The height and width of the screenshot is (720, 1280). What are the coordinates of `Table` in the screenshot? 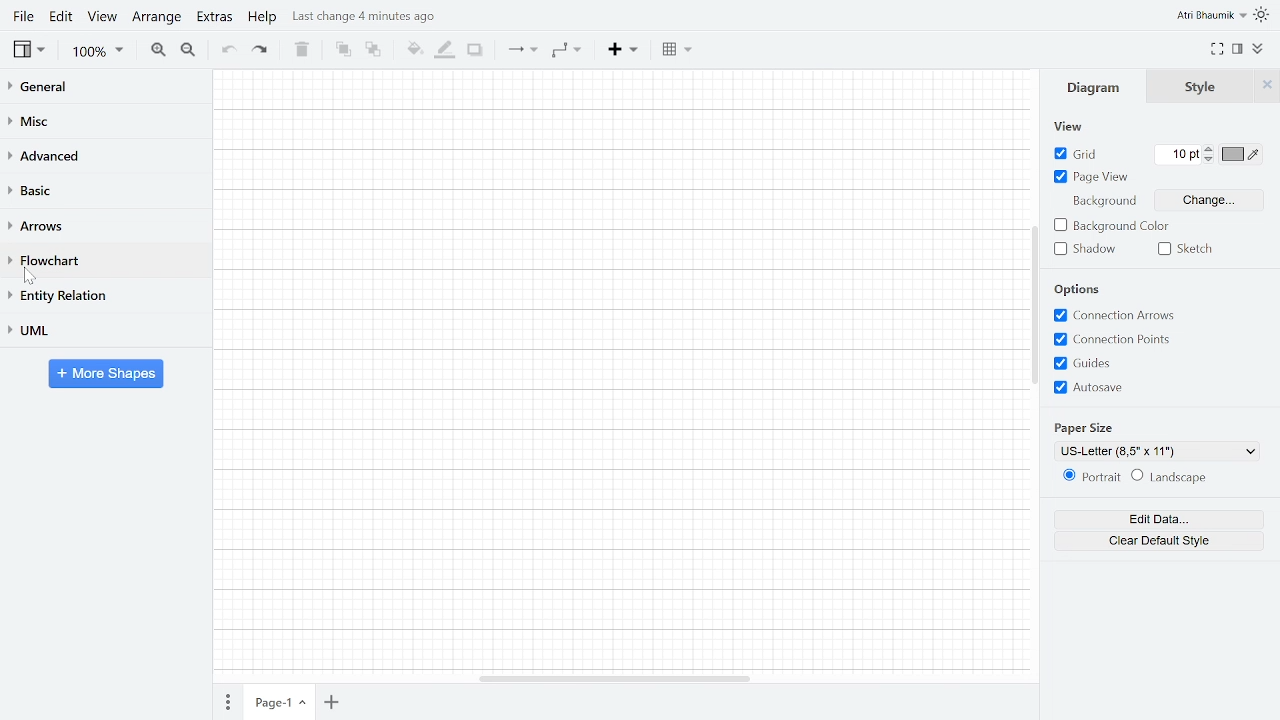 It's located at (676, 49).